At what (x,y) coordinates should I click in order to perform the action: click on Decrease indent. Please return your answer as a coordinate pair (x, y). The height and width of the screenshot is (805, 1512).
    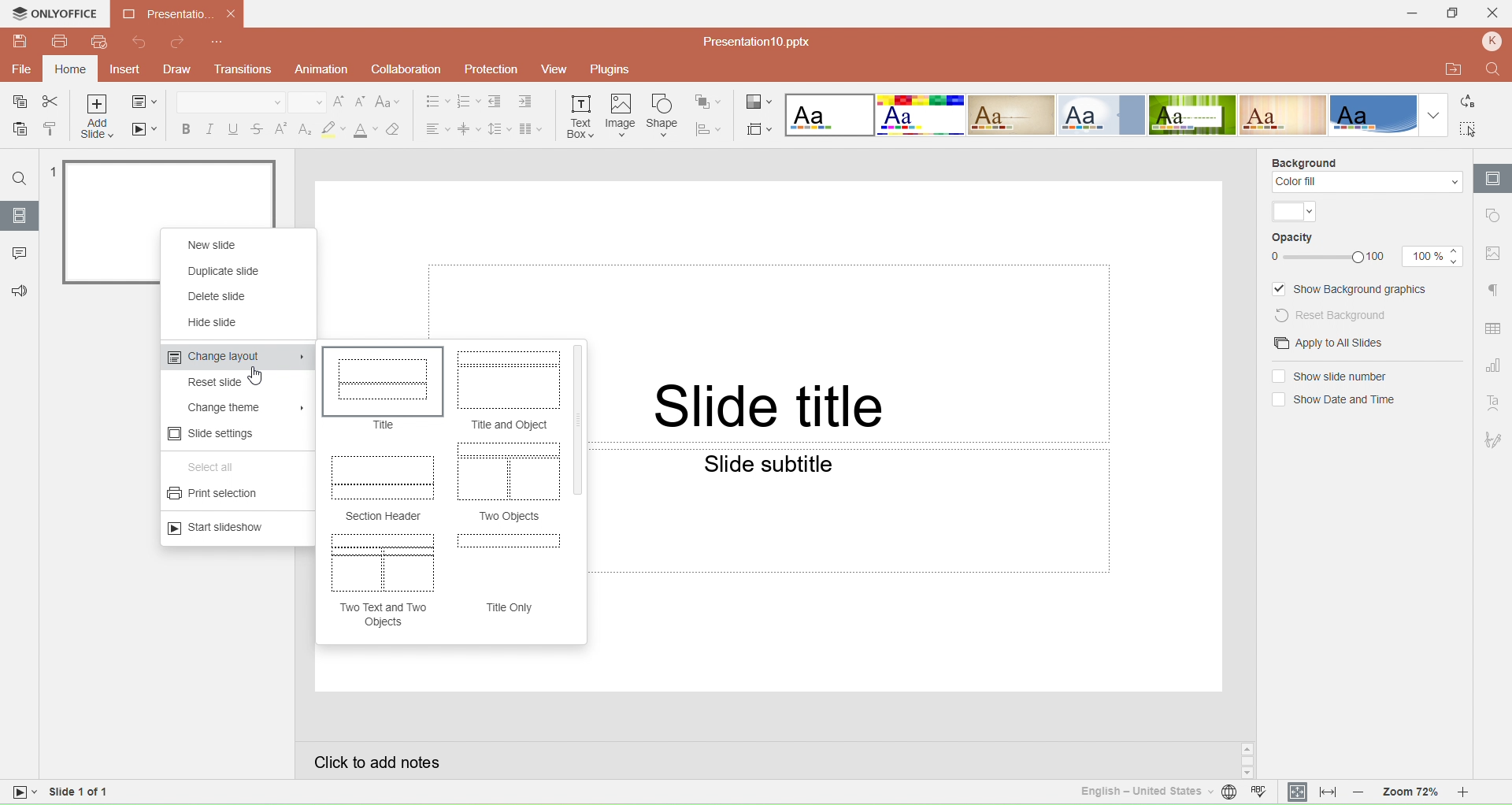
    Looking at the image, I should click on (496, 102).